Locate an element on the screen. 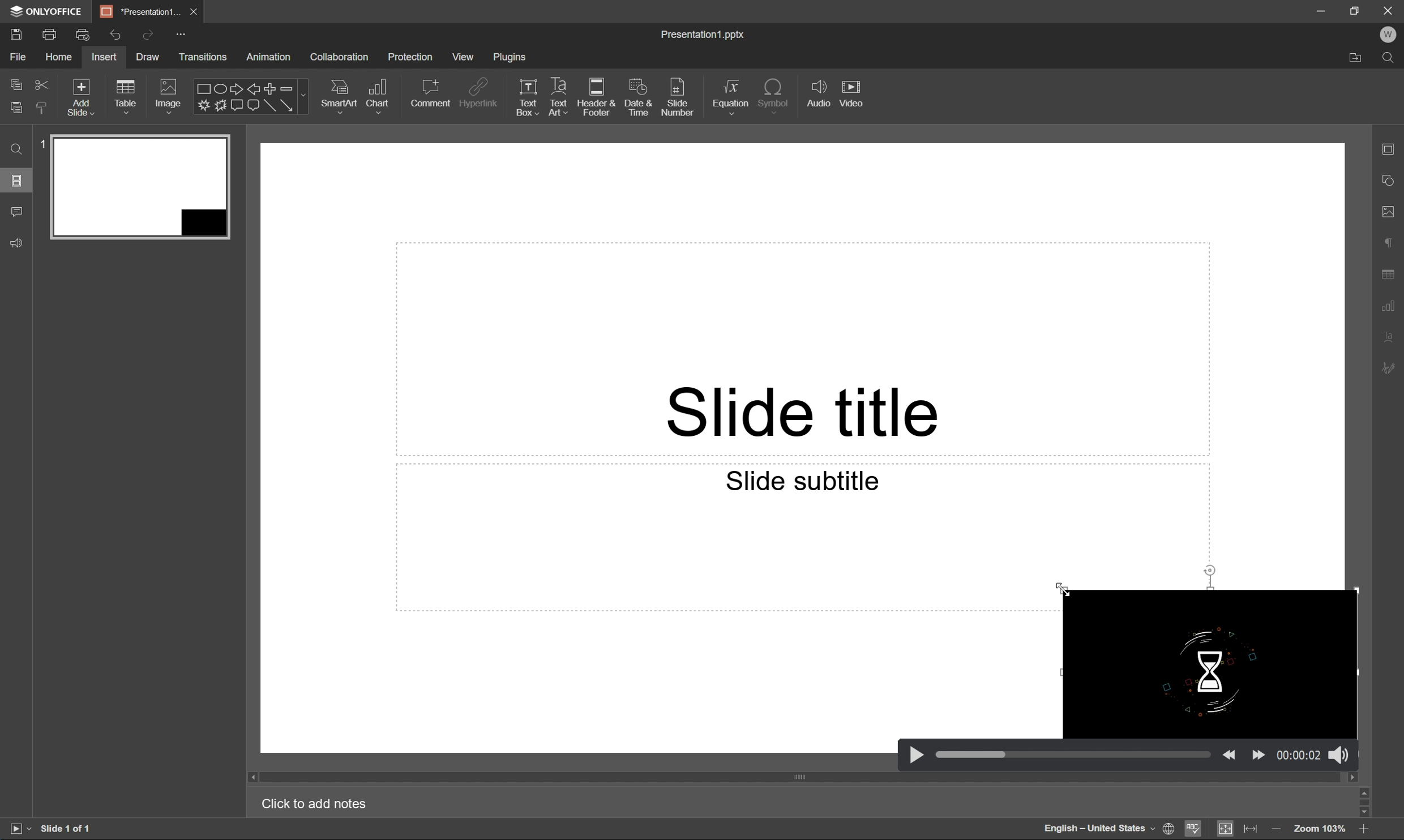 Image resolution: width=1404 pixels, height=840 pixels. *Percentage is located at coordinates (142, 10).